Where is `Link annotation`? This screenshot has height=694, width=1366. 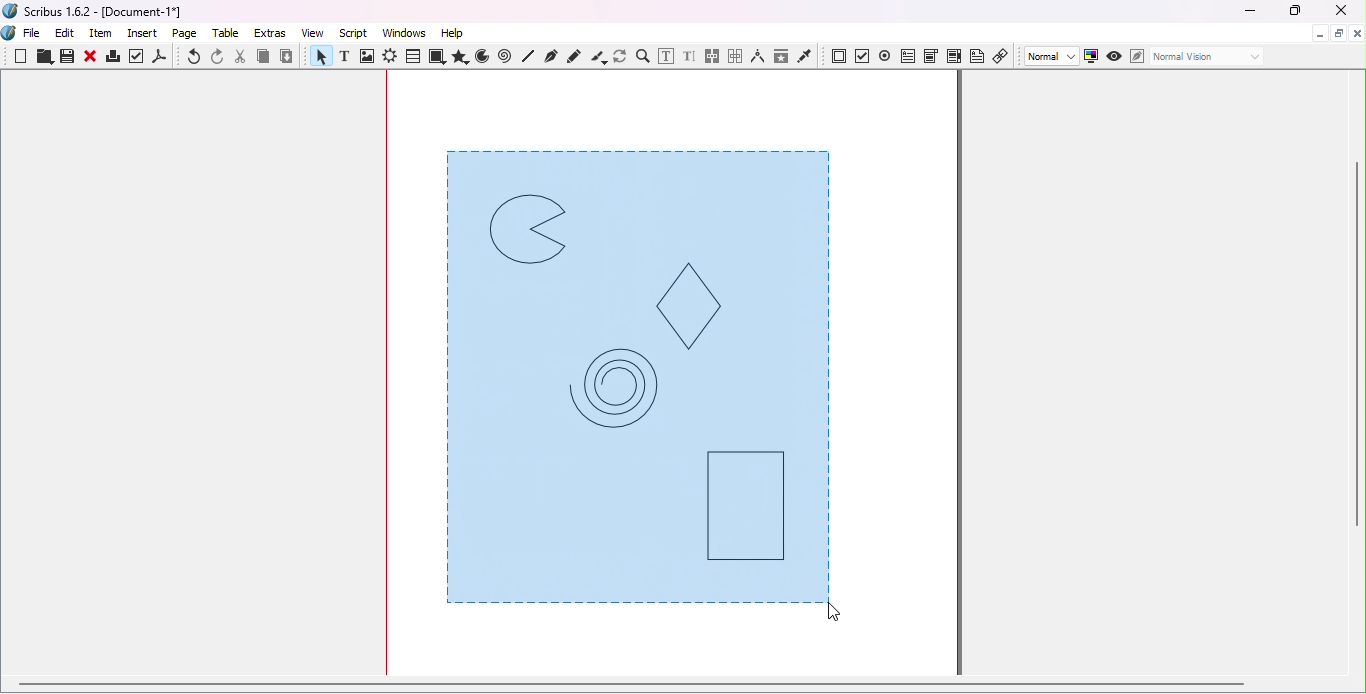
Link annotation is located at coordinates (1002, 55).